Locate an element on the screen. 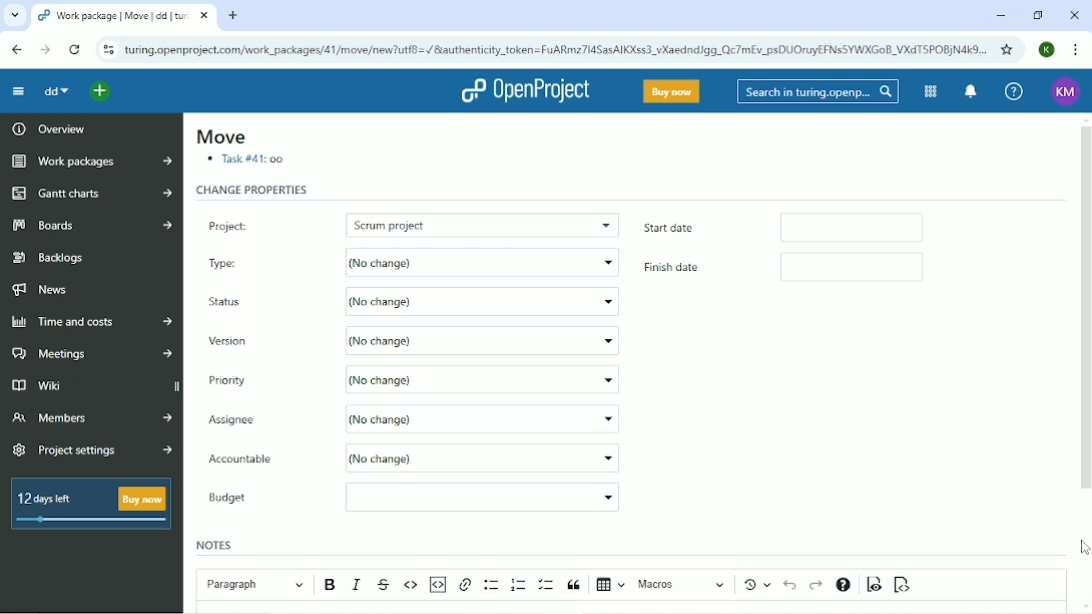  Restore down is located at coordinates (1036, 15).